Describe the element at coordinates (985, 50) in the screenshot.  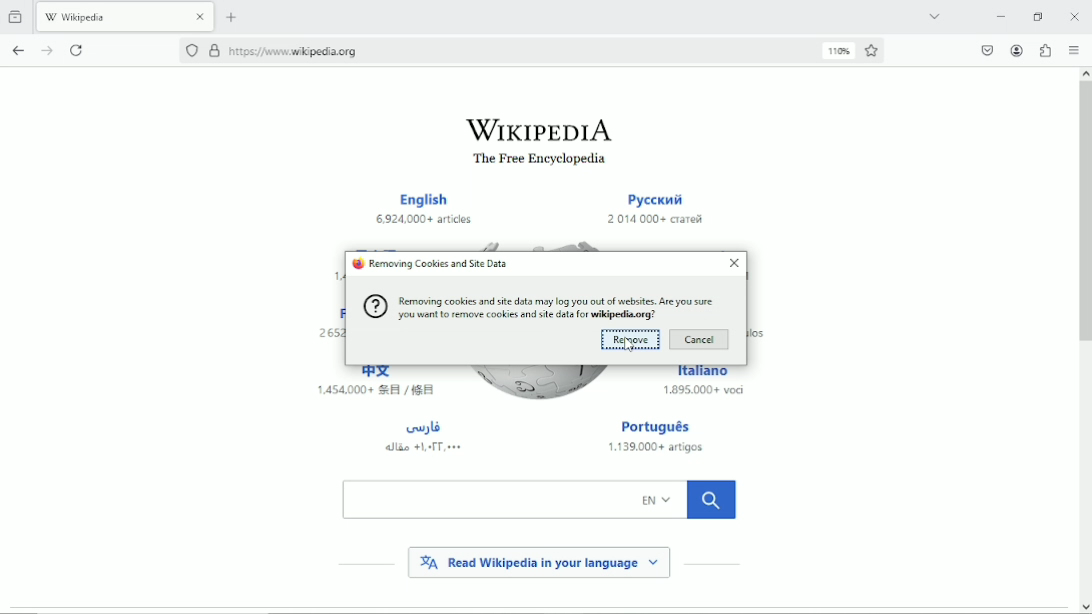
I see `add to pocket` at that location.